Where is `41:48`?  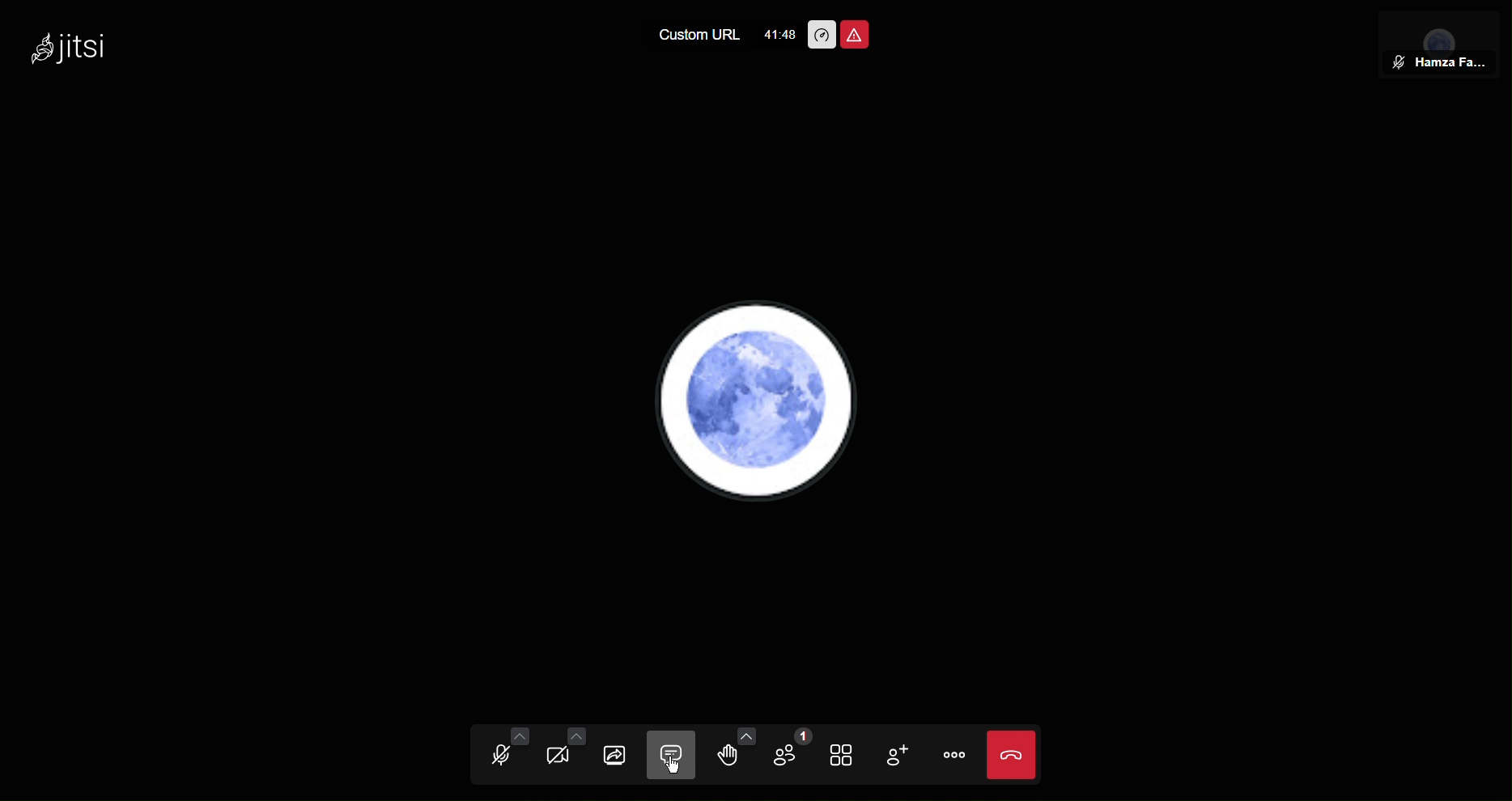
41:48 is located at coordinates (778, 35).